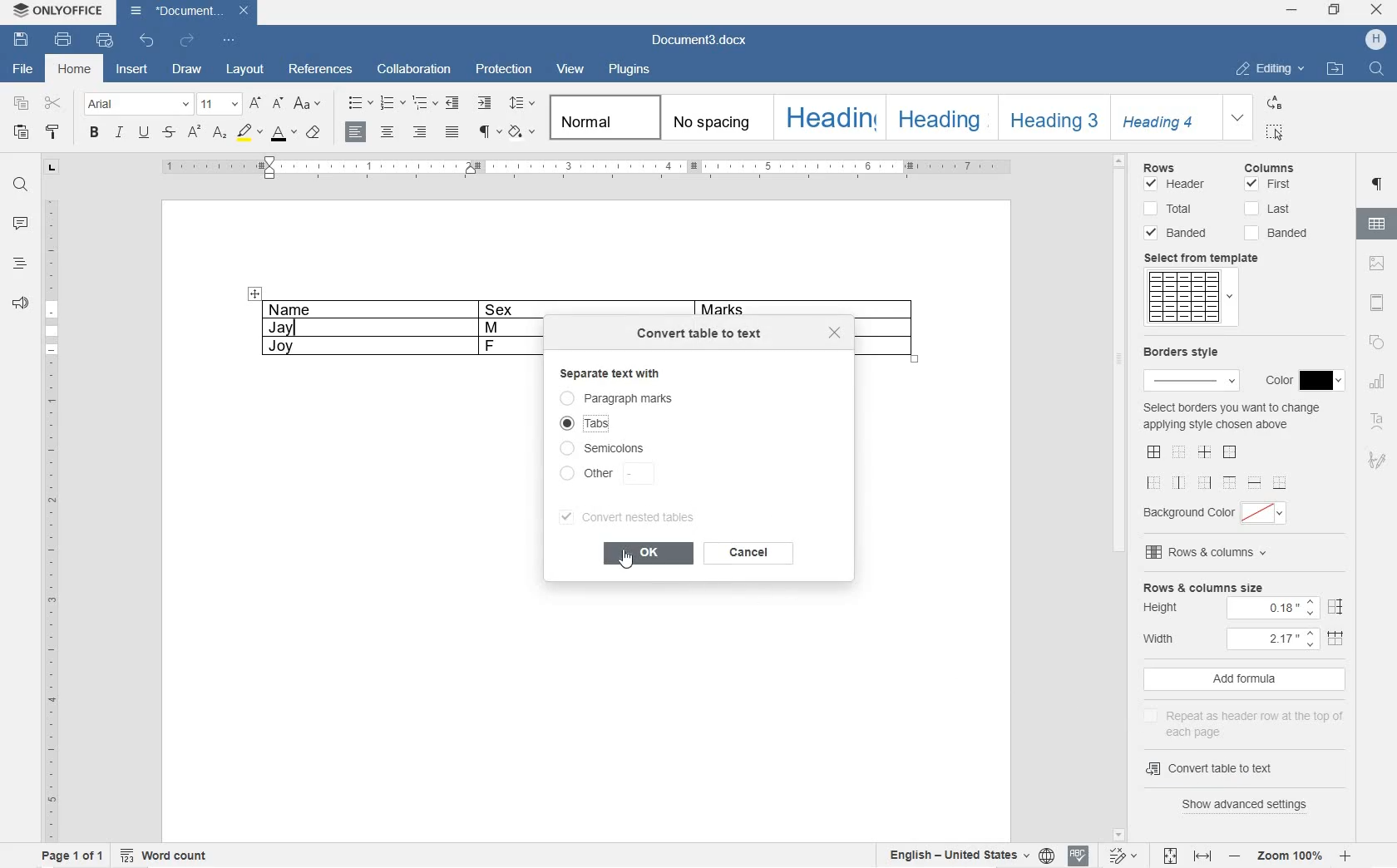 The width and height of the screenshot is (1397, 868). I want to click on HEADING 4, so click(1162, 116).